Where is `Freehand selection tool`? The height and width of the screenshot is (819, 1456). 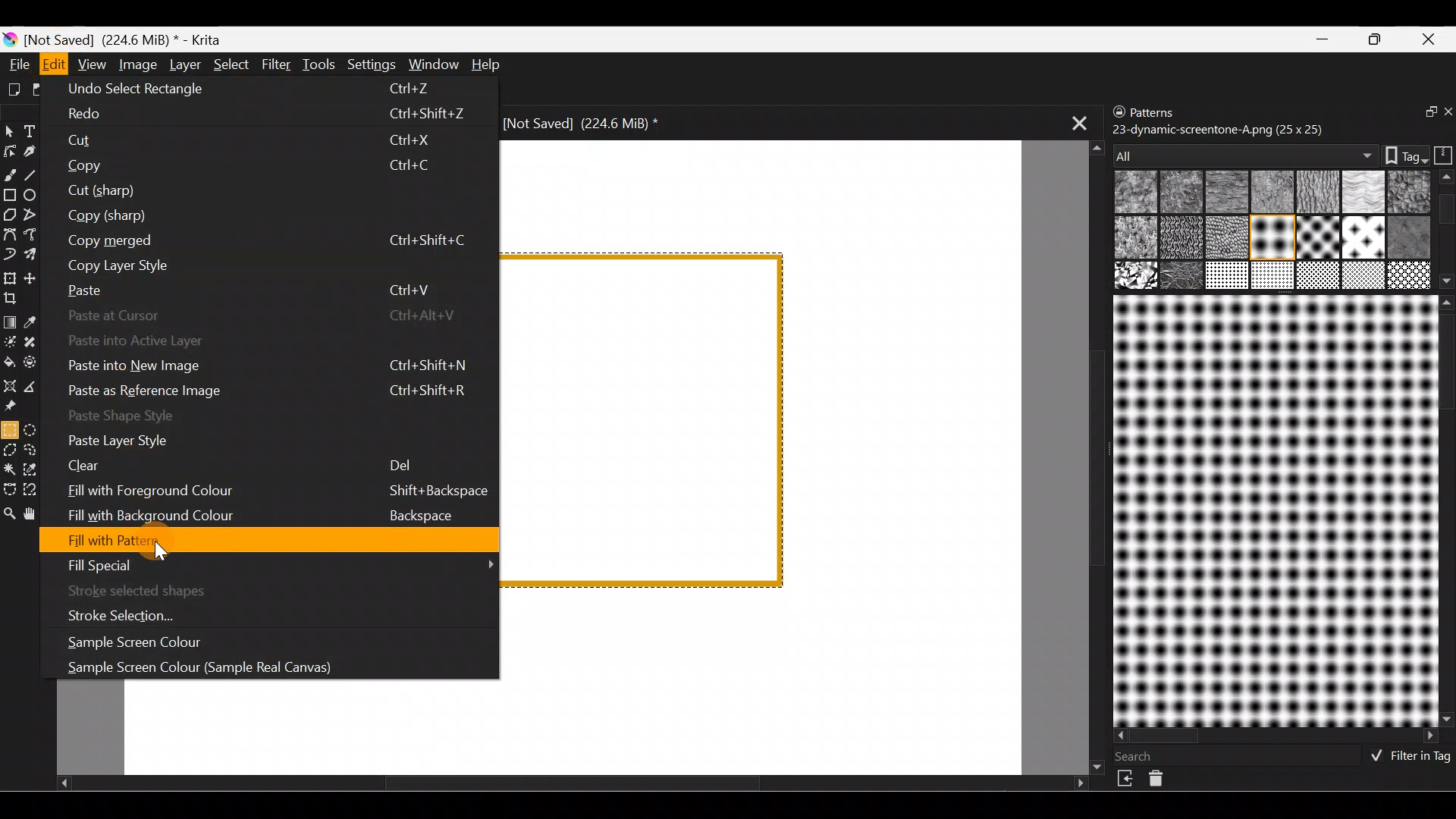 Freehand selection tool is located at coordinates (36, 450).